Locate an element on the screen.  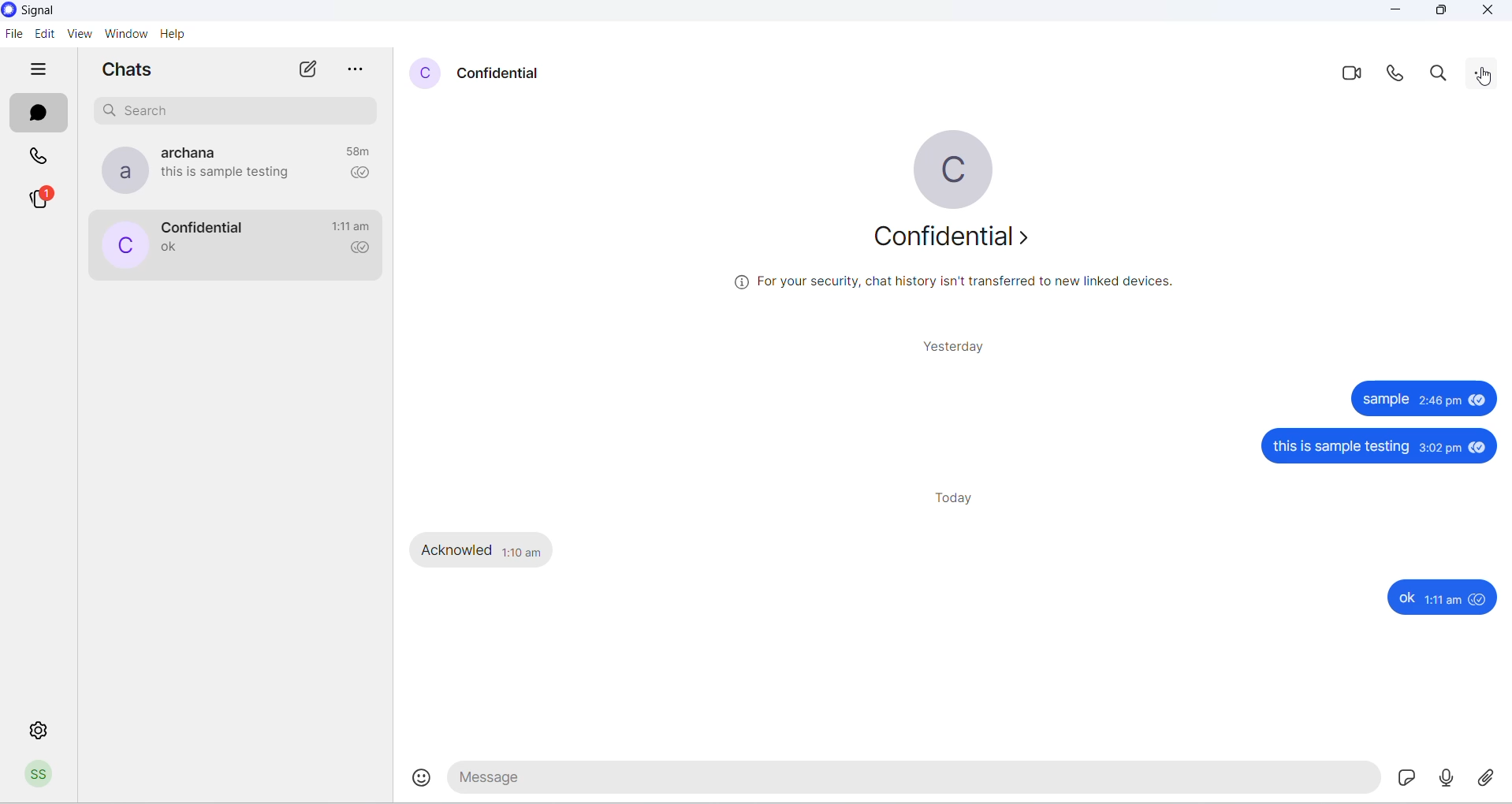
sample is located at coordinates (1384, 399).